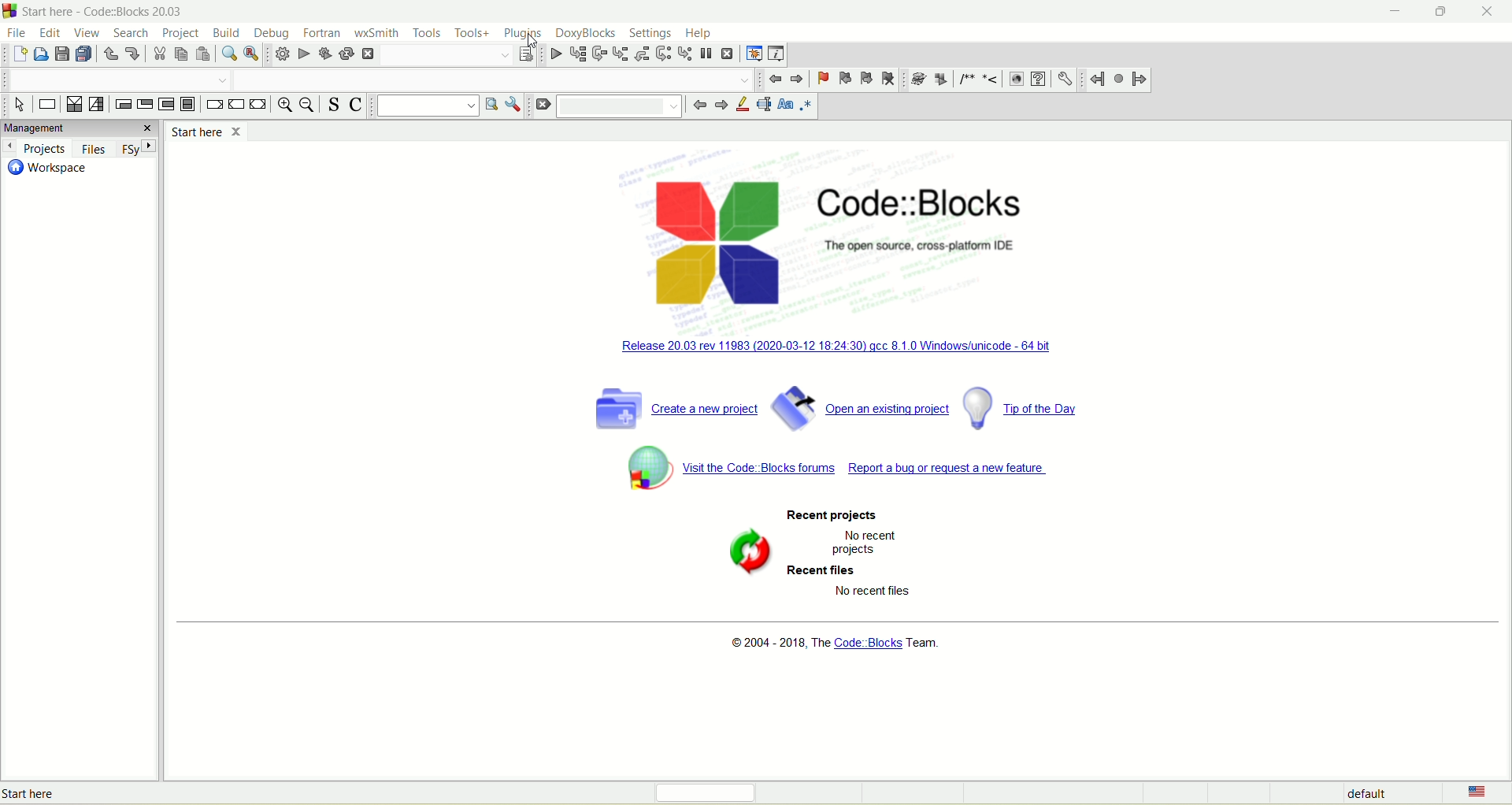 The height and width of the screenshot is (805, 1512). I want to click on Extract, so click(940, 80).